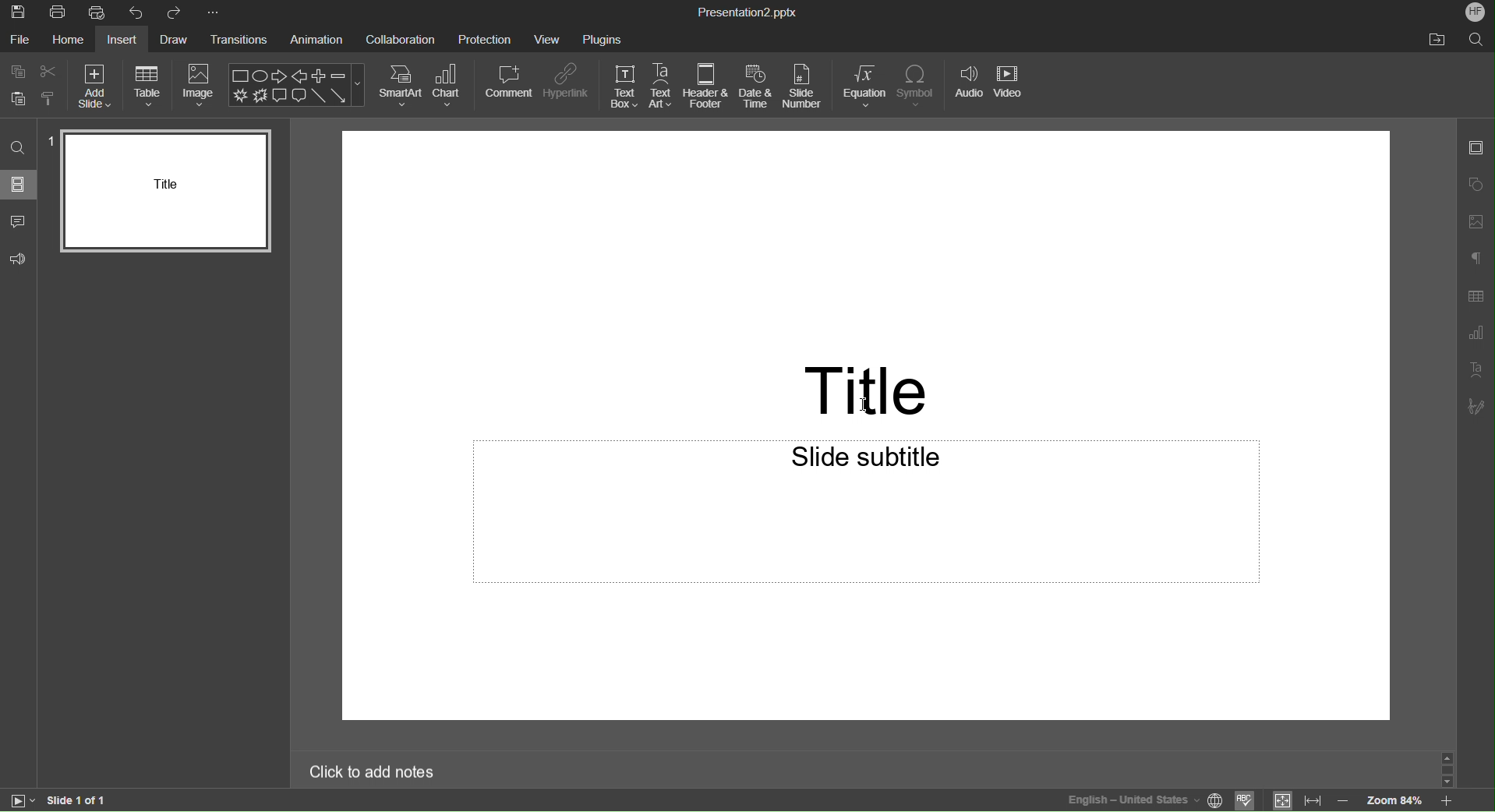 This screenshot has height=812, width=1495. What do you see at coordinates (866, 457) in the screenshot?
I see `Slide subtitle` at bounding box center [866, 457].